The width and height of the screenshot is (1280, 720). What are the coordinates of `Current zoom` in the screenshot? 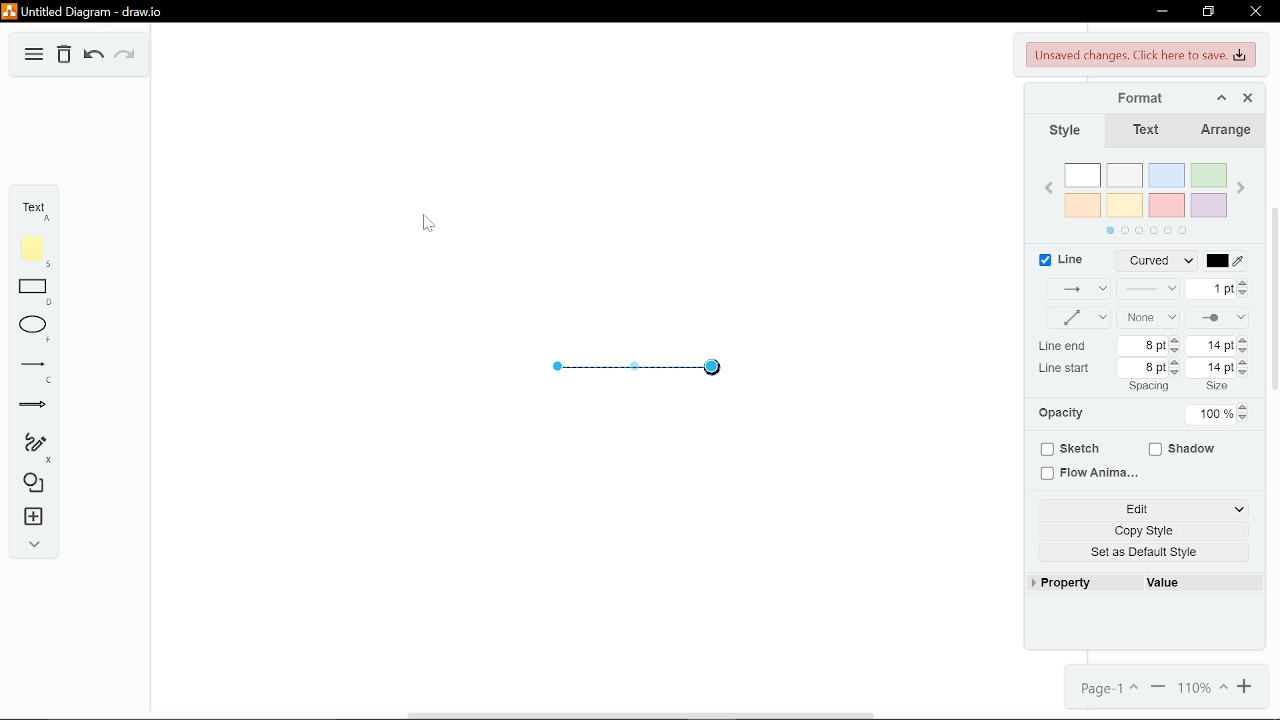 It's located at (1205, 688).